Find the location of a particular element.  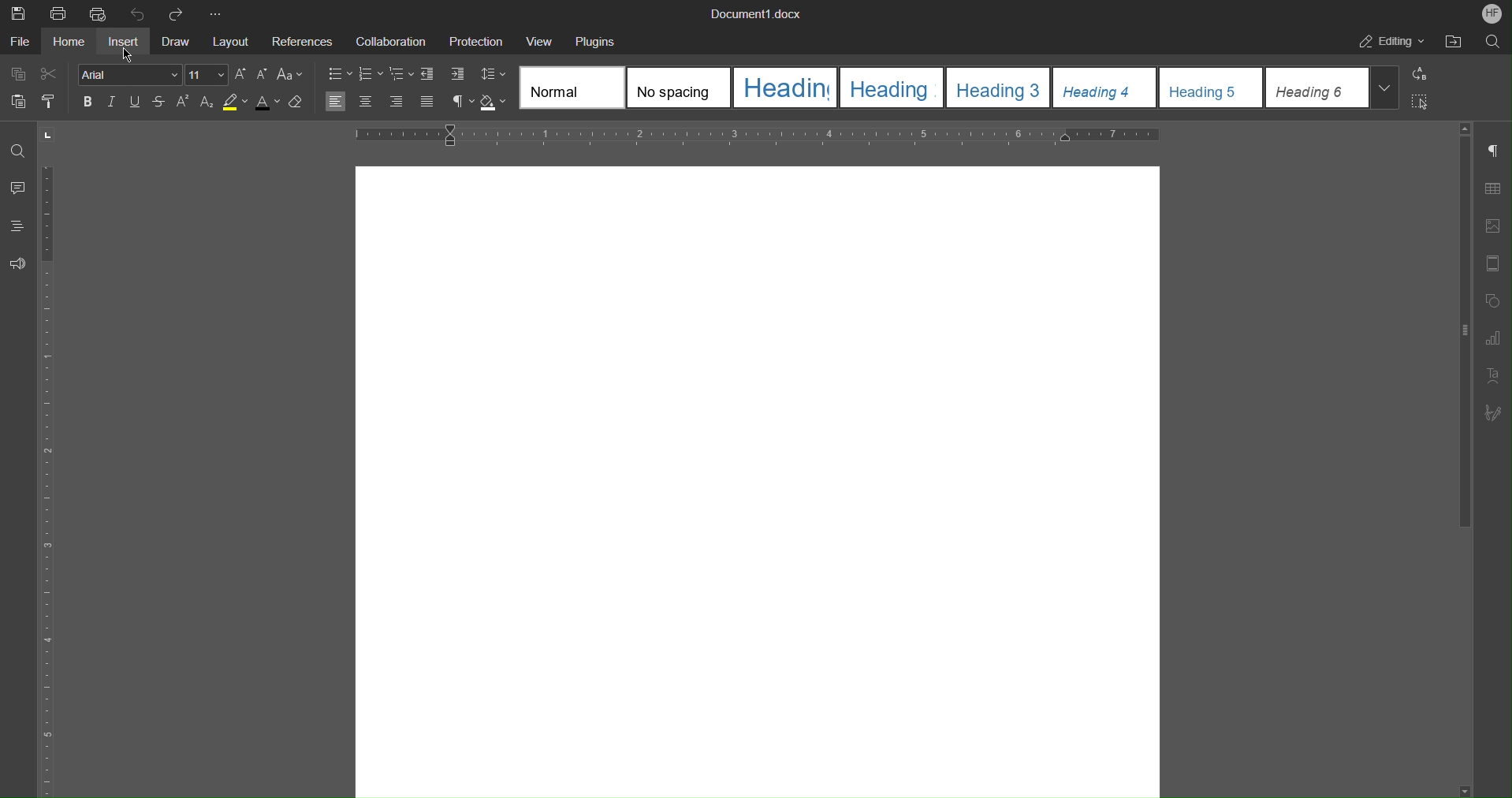

Text Case Settings is located at coordinates (292, 75).